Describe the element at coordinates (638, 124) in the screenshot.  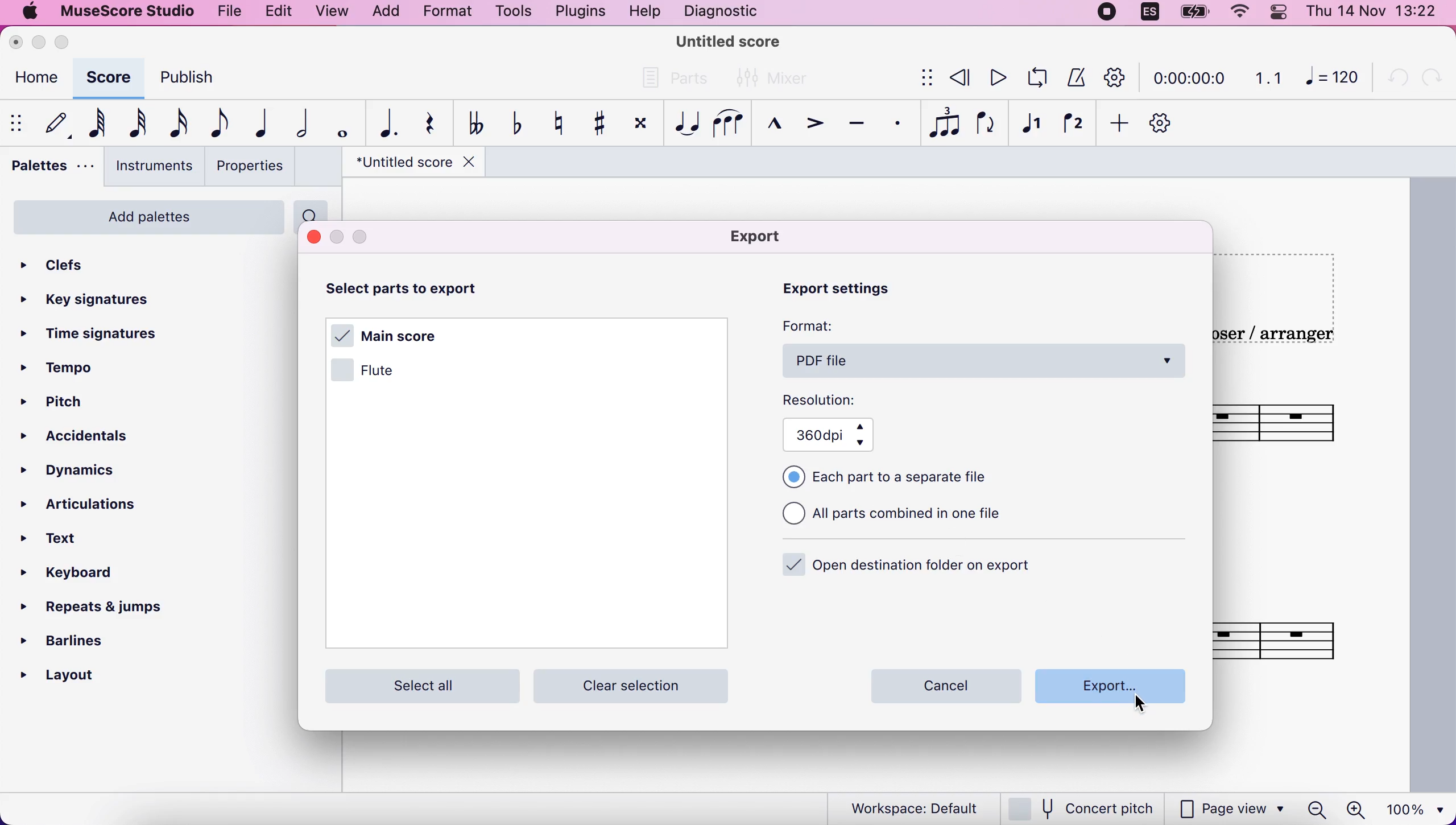
I see `toggle double sharp` at that location.